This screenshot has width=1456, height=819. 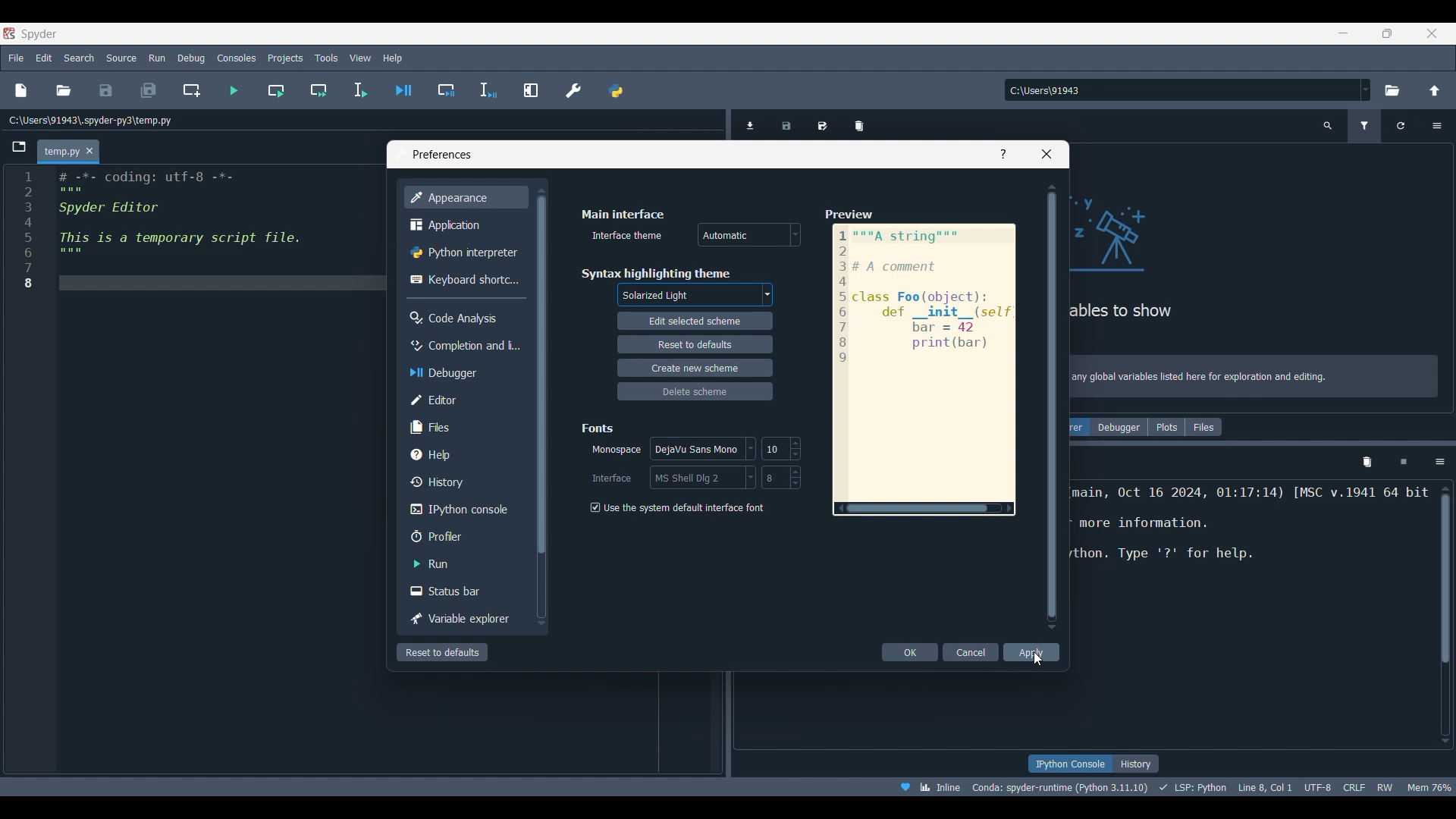 I want to click on delete scheme, so click(x=695, y=392).